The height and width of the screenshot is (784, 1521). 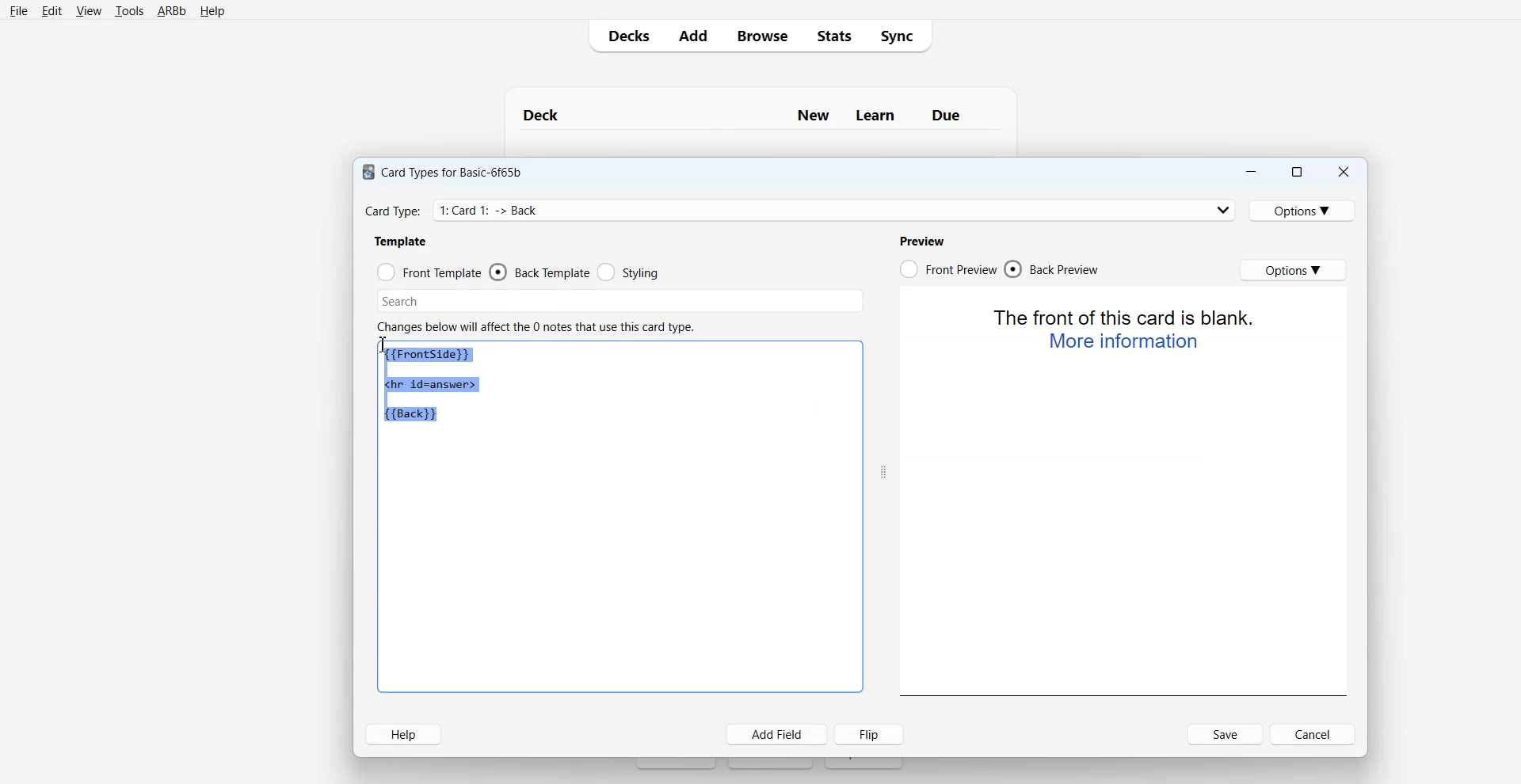 What do you see at coordinates (404, 734) in the screenshot?
I see `Help` at bounding box center [404, 734].